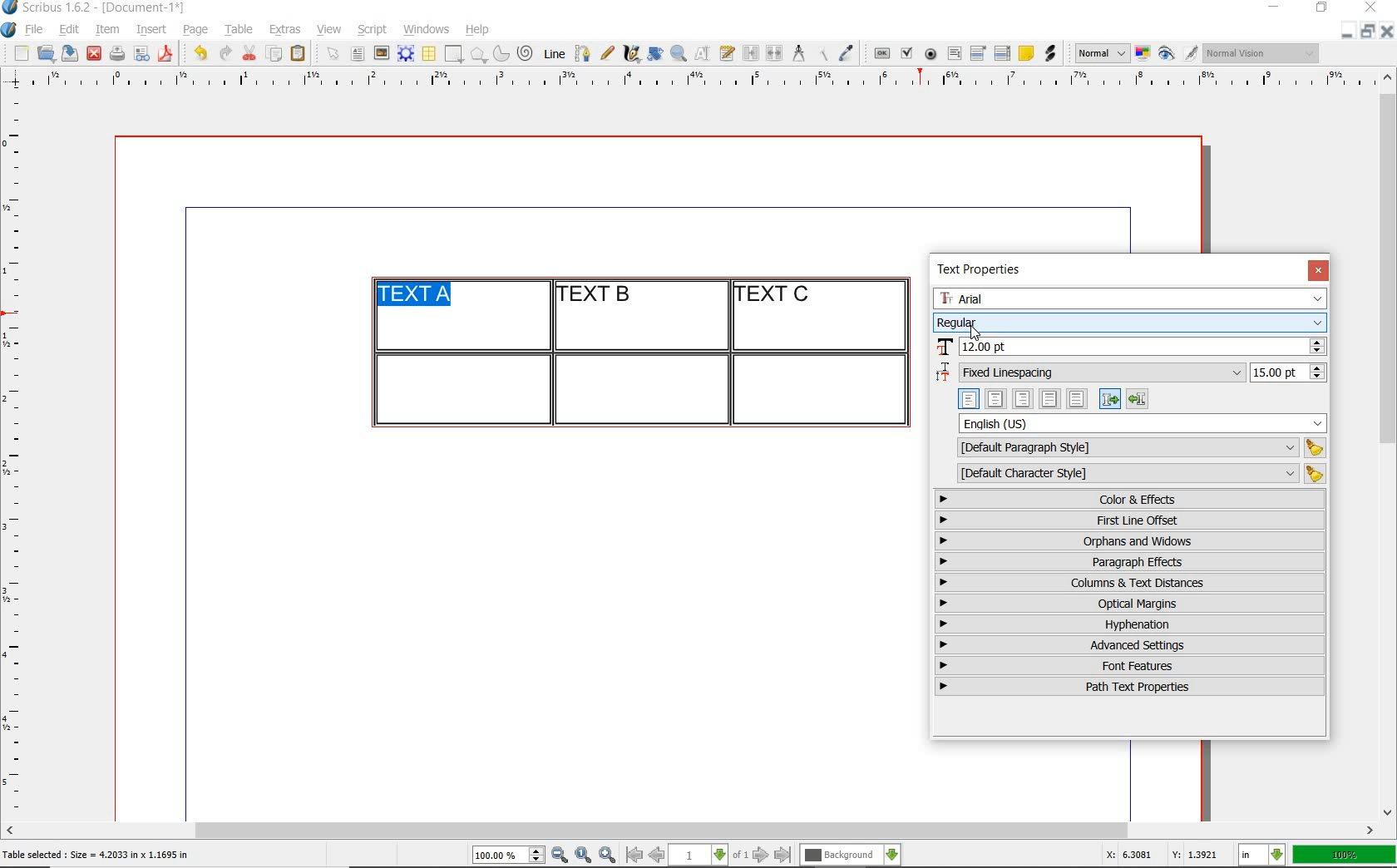 The width and height of the screenshot is (1397, 868). What do you see at coordinates (1130, 624) in the screenshot?
I see `hyphenation` at bounding box center [1130, 624].